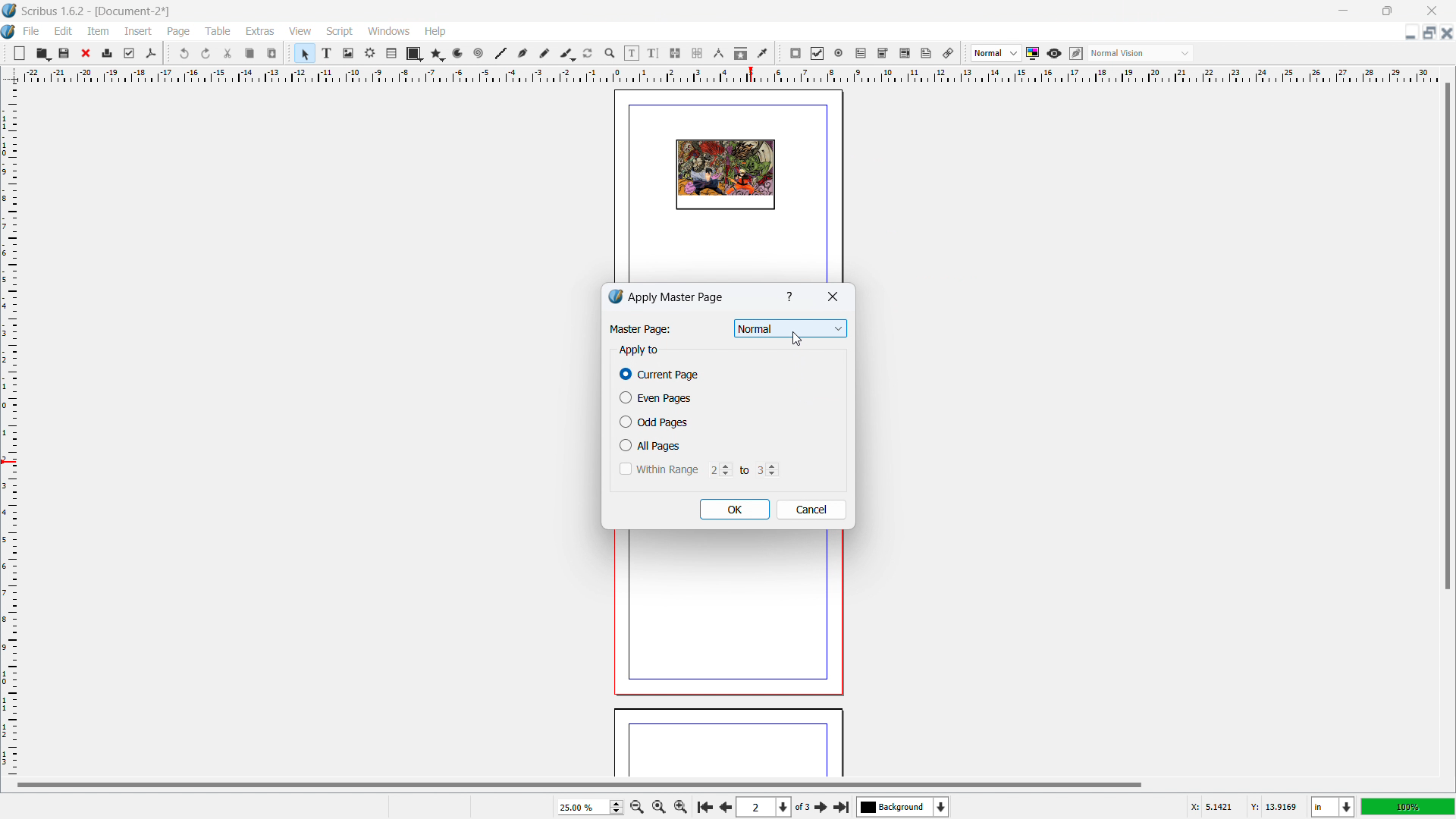 The width and height of the screenshot is (1456, 819). Describe the element at coordinates (741, 53) in the screenshot. I see `copy item properties` at that location.